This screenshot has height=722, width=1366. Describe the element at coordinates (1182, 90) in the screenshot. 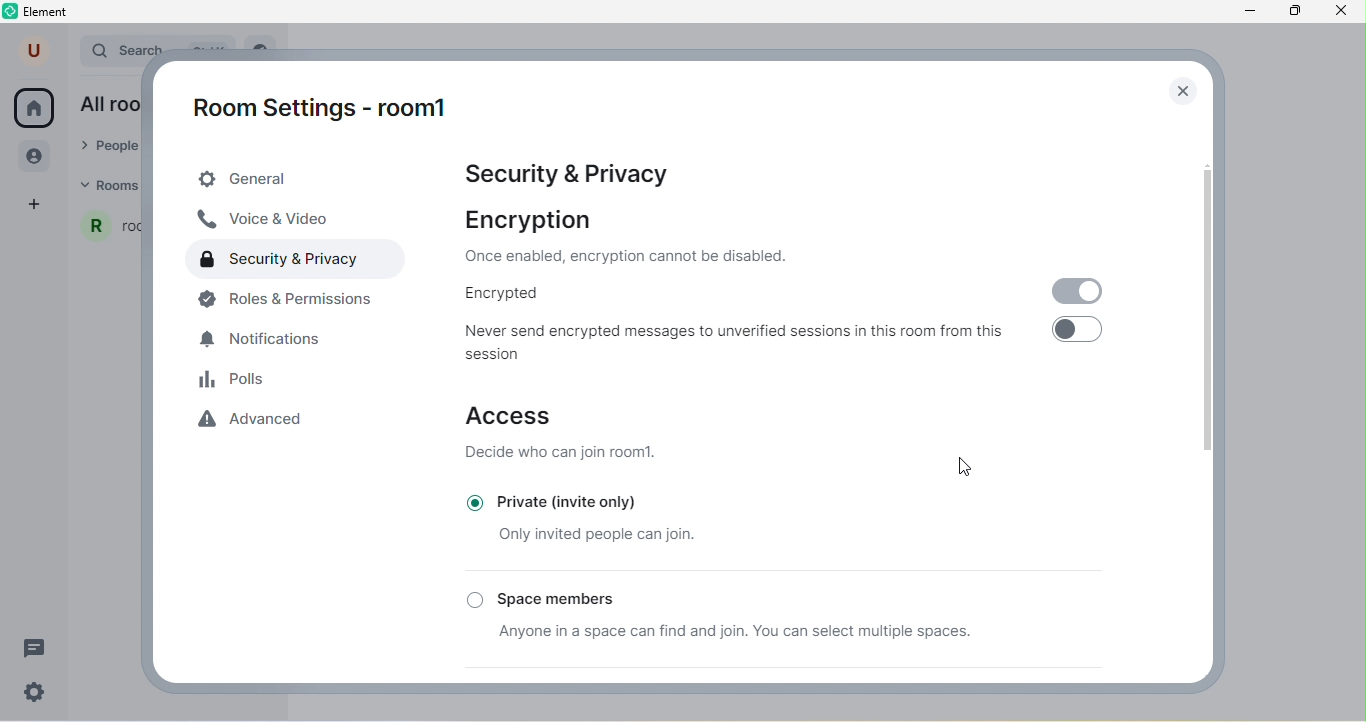

I see `close` at that location.